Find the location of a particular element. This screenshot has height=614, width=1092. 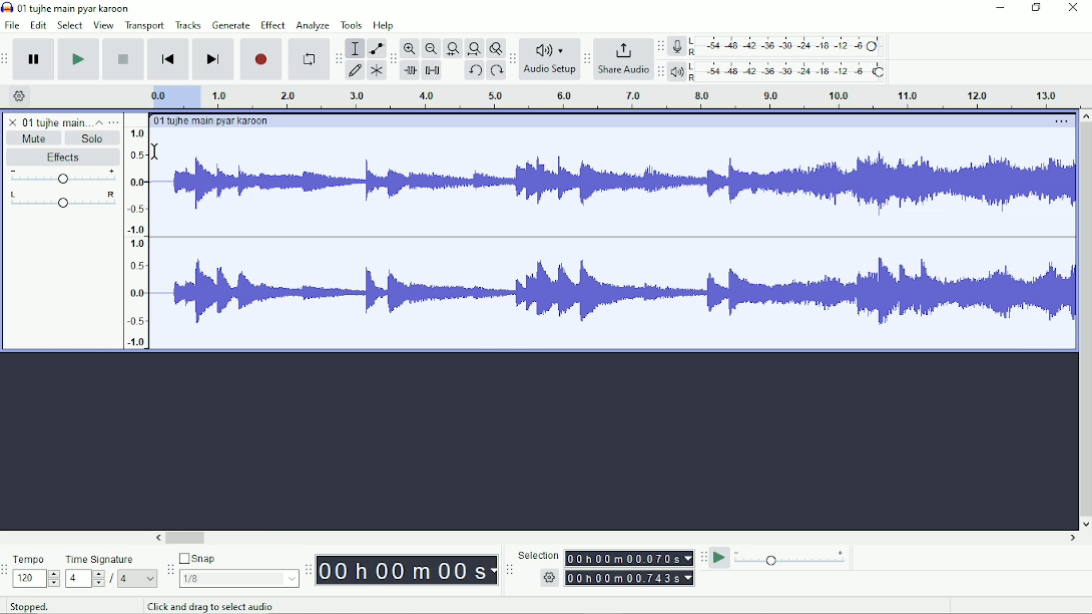

Audacity time signature toolbar is located at coordinates (7, 571).